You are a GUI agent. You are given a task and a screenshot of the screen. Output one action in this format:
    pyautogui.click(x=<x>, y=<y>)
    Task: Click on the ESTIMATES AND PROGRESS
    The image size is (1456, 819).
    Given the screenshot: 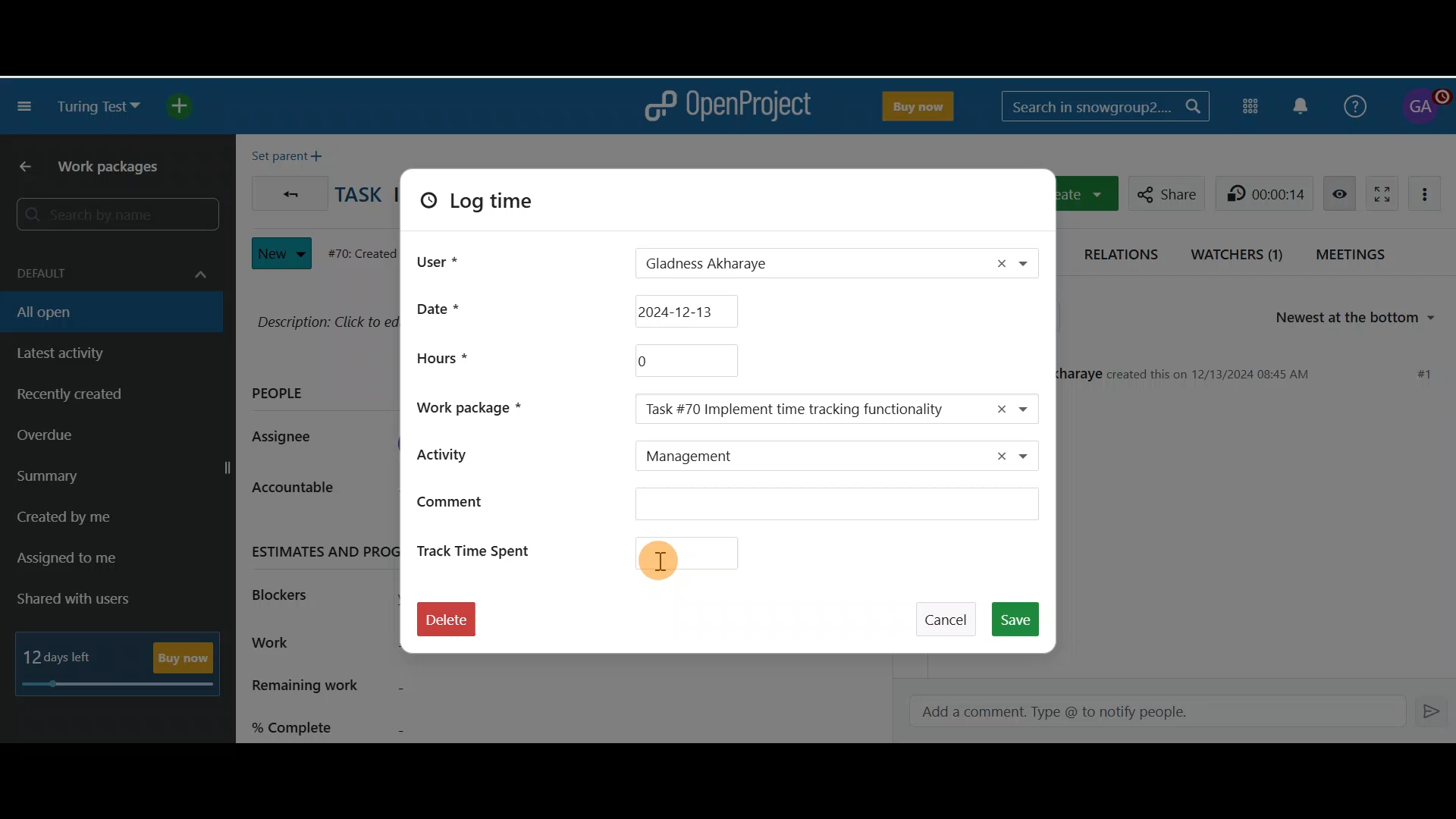 What is the action you would take?
    pyautogui.click(x=320, y=550)
    